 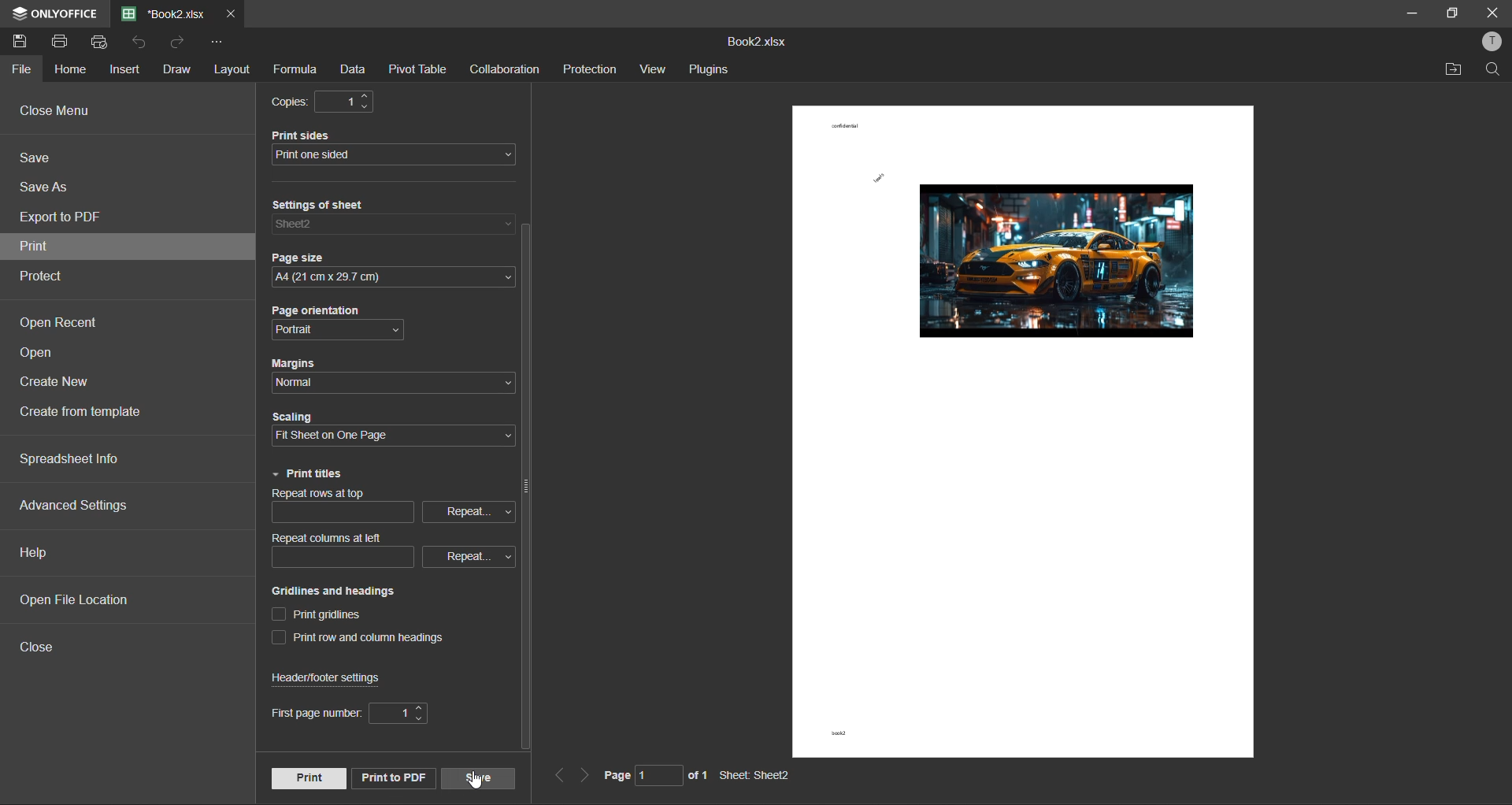 What do you see at coordinates (65, 215) in the screenshot?
I see `export to pdf` at bounding box center [65, 215].